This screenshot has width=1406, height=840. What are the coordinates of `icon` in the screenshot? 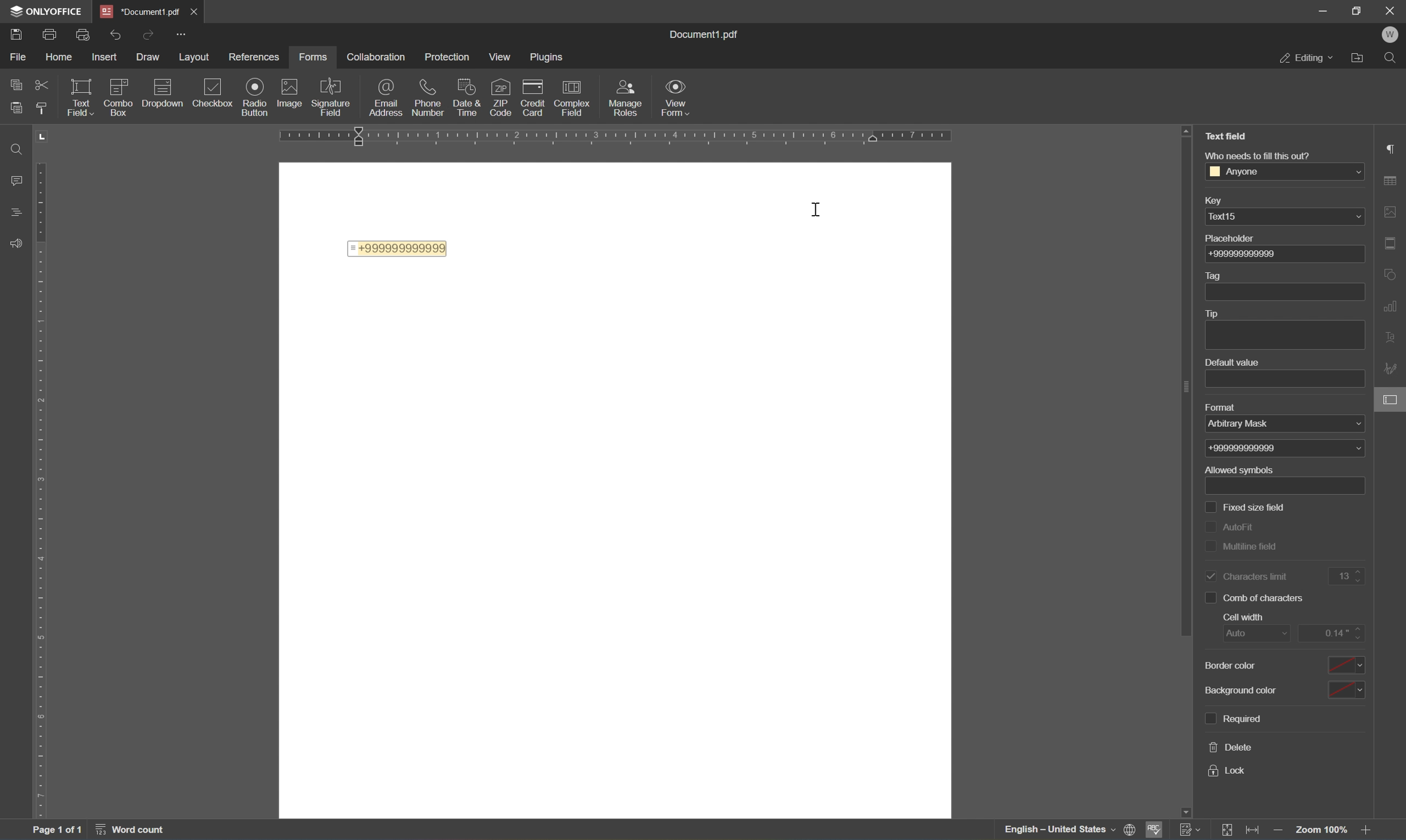 It's located at (536, 93).